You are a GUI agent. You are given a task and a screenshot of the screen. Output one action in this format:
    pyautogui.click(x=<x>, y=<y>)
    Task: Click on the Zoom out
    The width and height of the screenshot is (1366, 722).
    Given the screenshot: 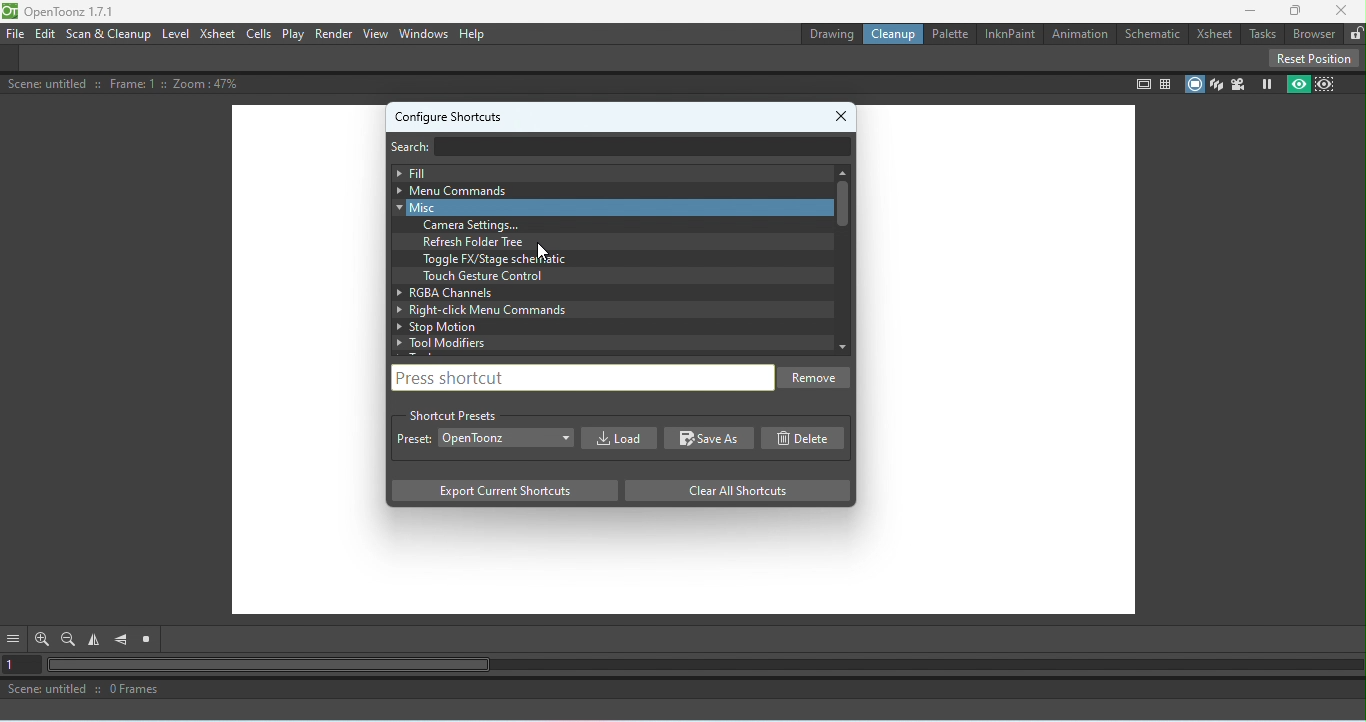 What is the action you would take?
    pyautogui.click(x=68, y=639)
    